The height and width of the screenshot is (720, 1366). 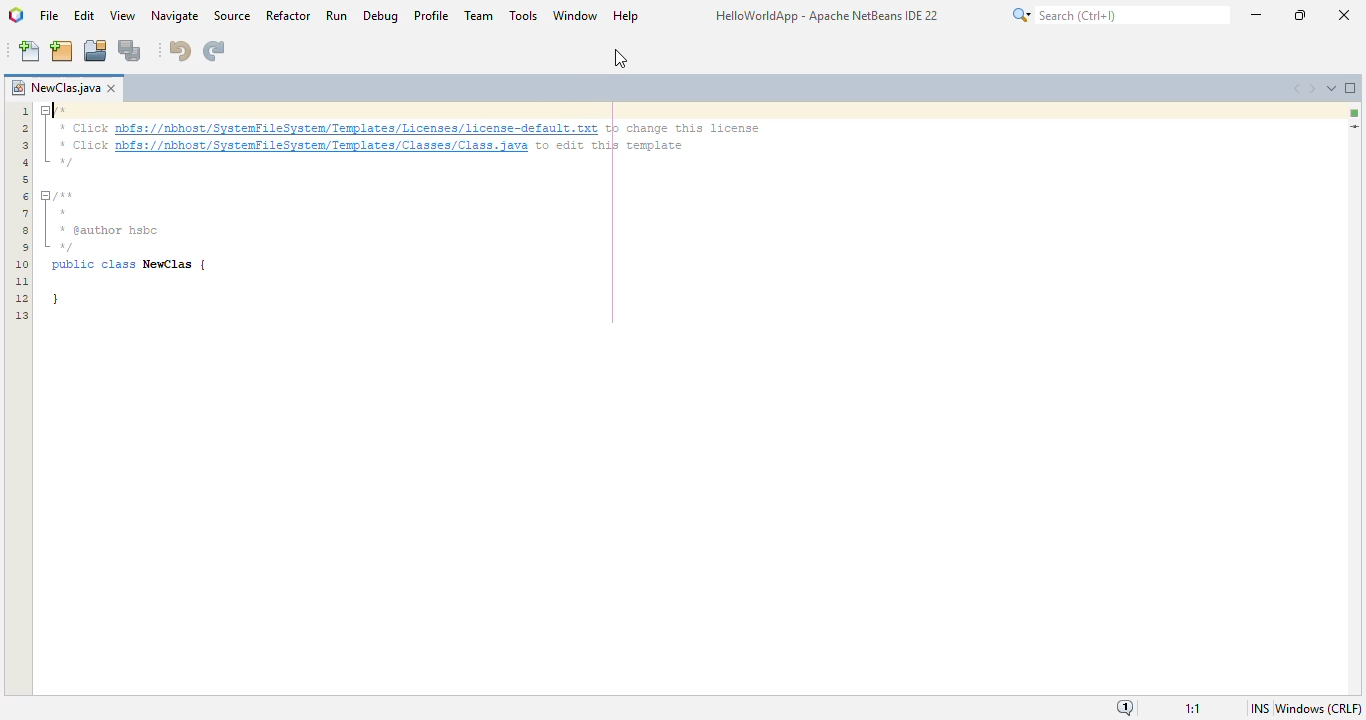 I want to click on search, so click(x=1118, y=15).